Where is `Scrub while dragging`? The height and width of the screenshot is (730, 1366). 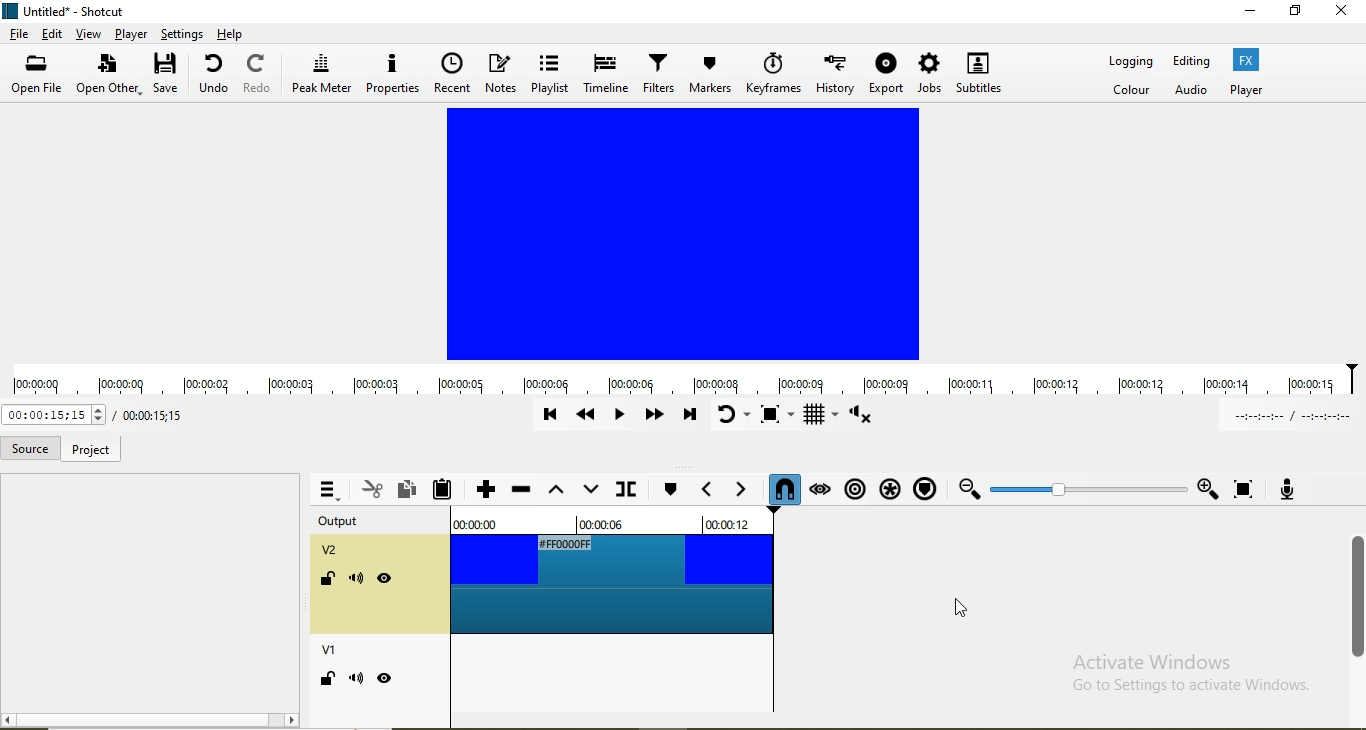
Scrub while dragging is located at coordinates (820, 486).